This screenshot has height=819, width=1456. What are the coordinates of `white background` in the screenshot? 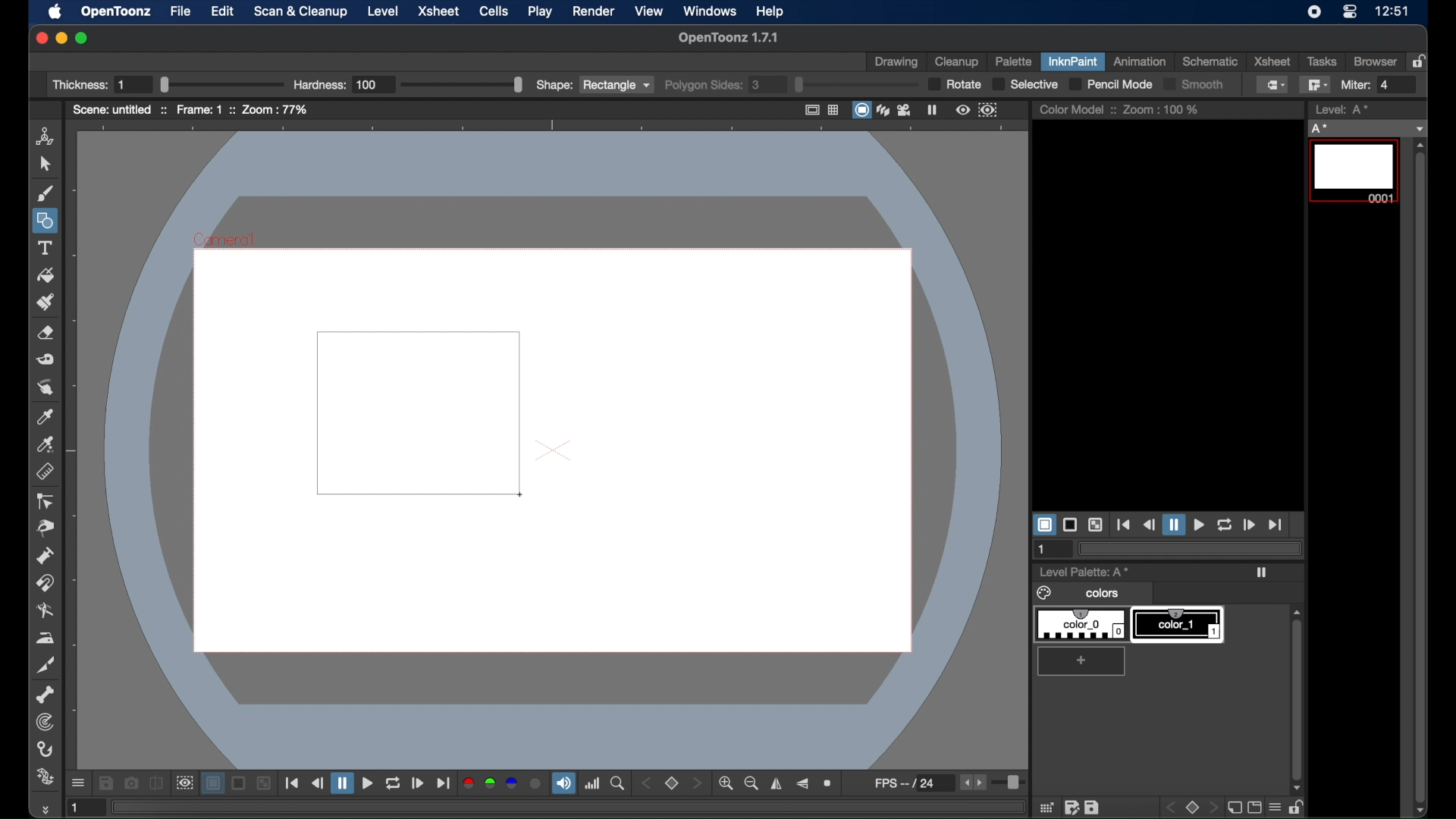 It's located at (1043, 525).